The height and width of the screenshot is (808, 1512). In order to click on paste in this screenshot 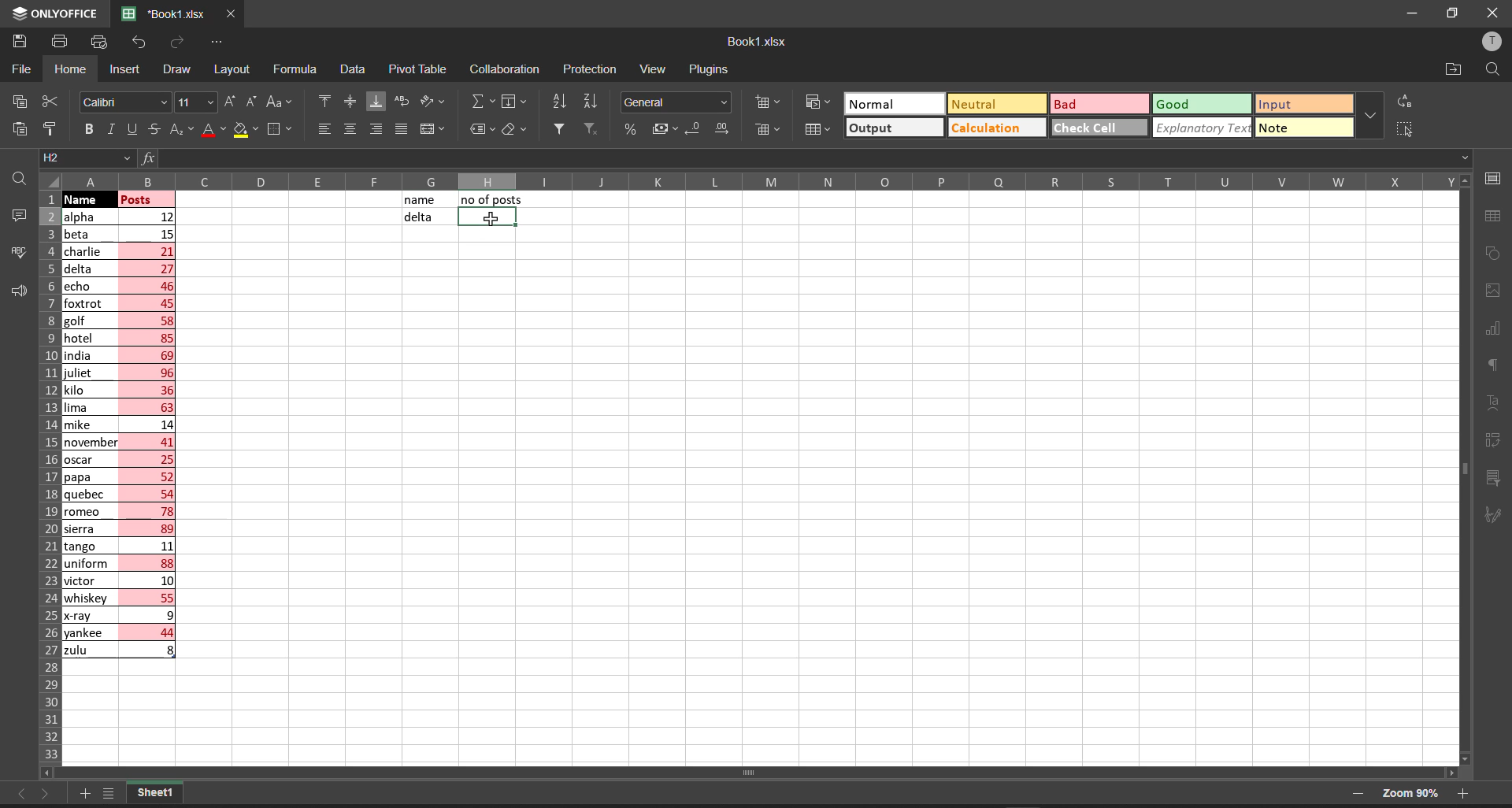, I will do `click(16, 128)`.